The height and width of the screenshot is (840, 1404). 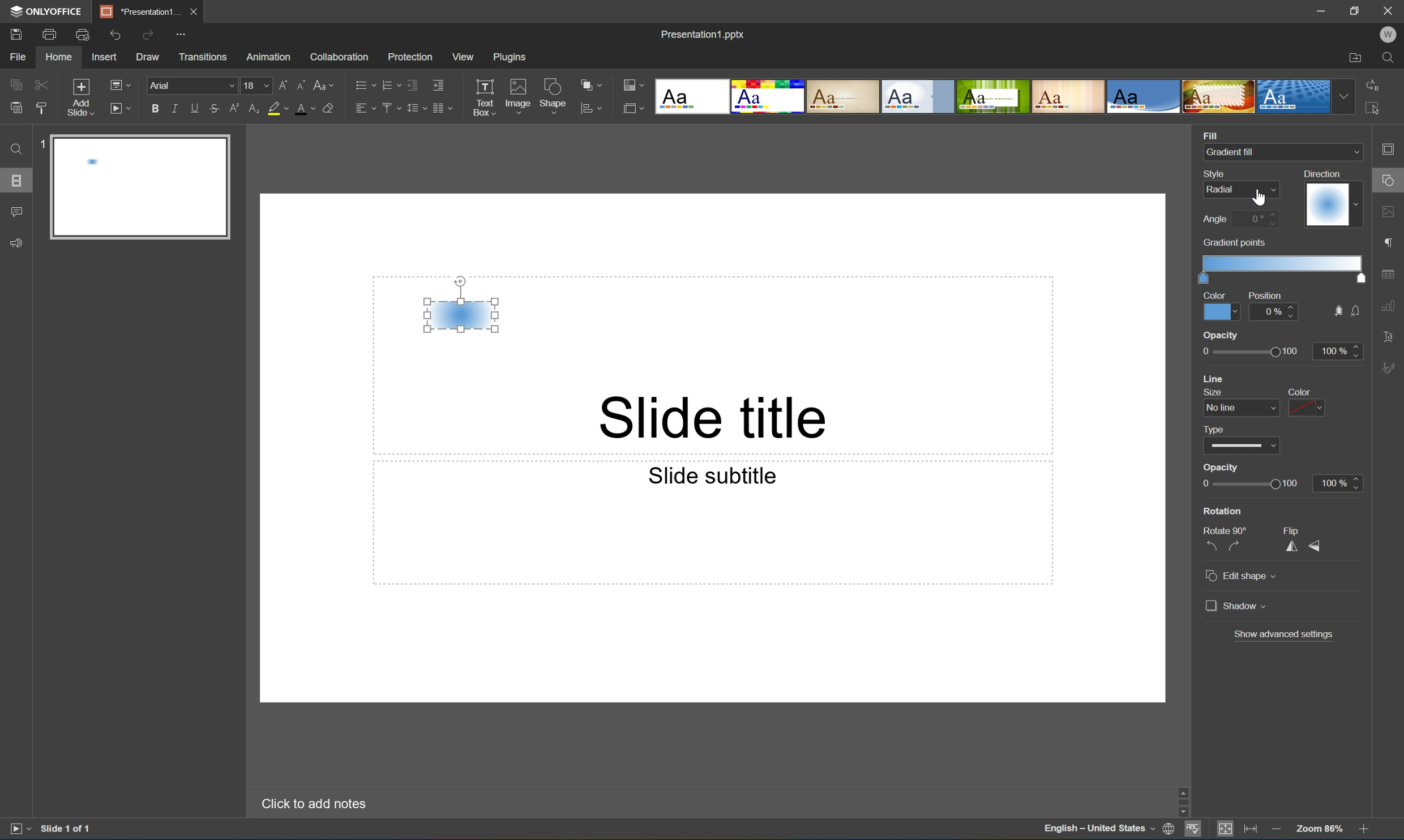 What do you see at coordinates (1296, 392) in the screenshot?
I see `color` at bounding box center [1296, 392].